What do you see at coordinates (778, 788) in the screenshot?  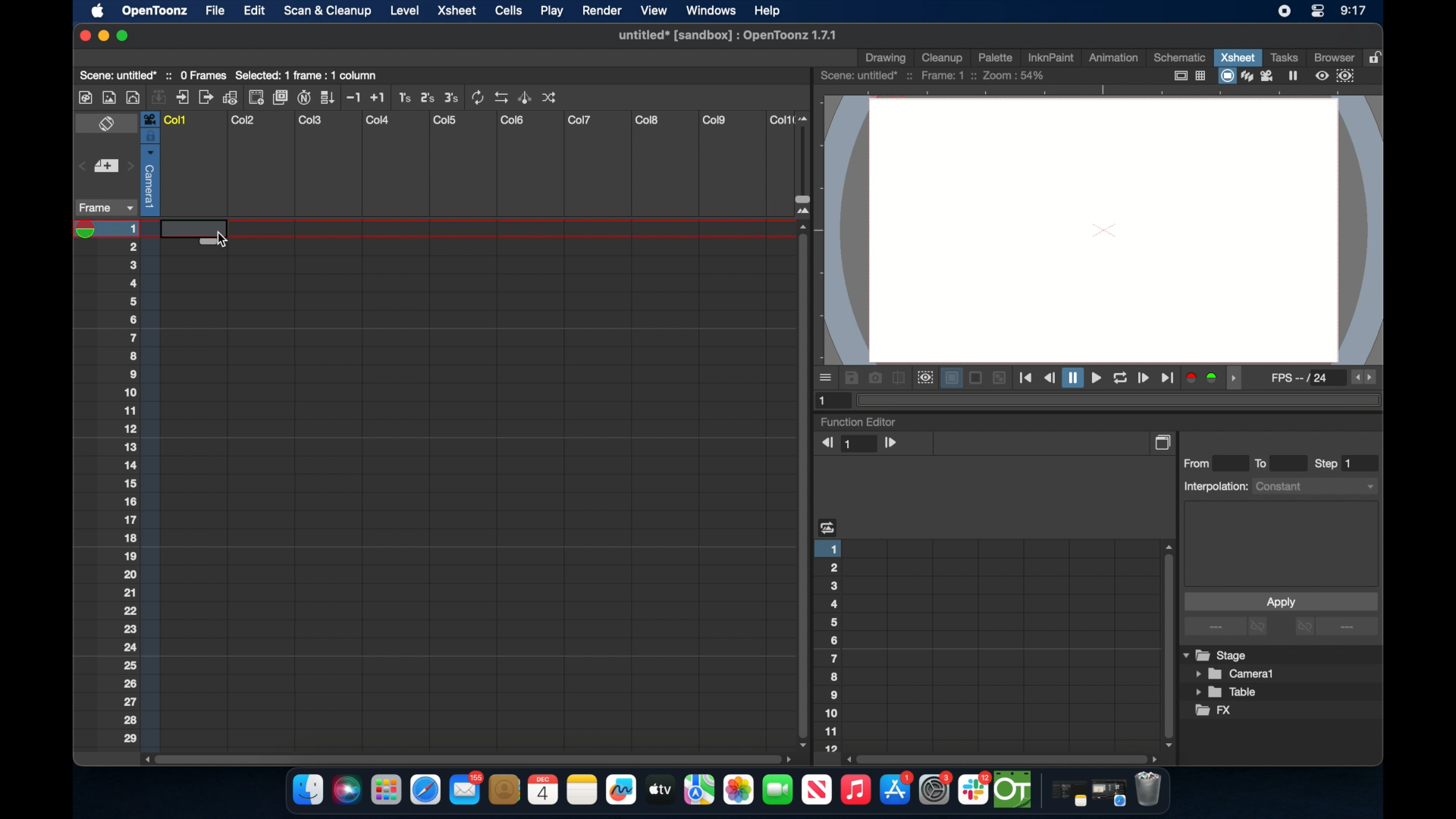 I see `facetime` at bounding box center [778, 788].